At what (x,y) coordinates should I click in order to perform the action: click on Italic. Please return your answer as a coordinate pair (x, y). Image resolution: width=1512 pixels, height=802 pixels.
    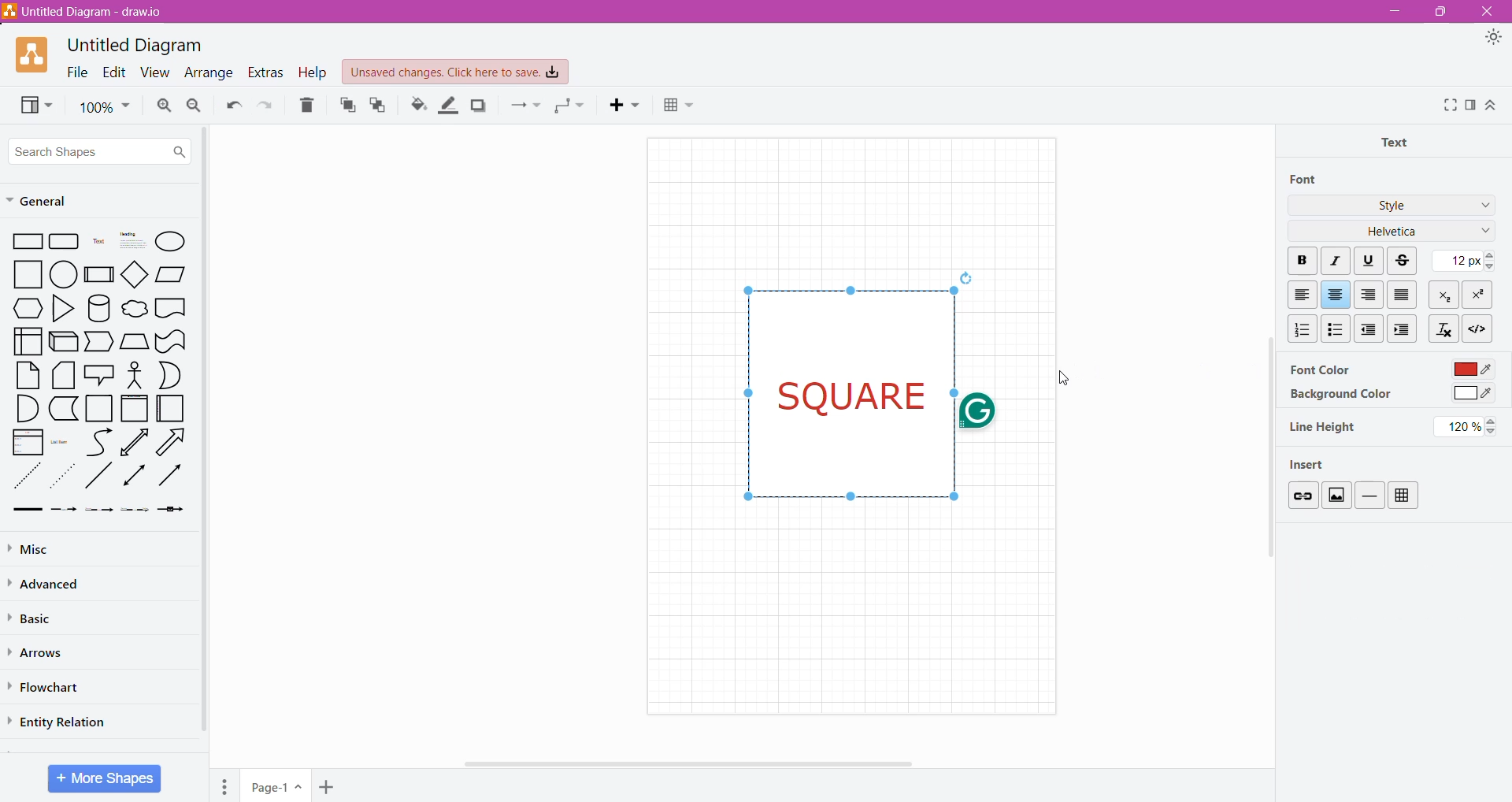
    Looking at the image, I should click on (1337, 262).